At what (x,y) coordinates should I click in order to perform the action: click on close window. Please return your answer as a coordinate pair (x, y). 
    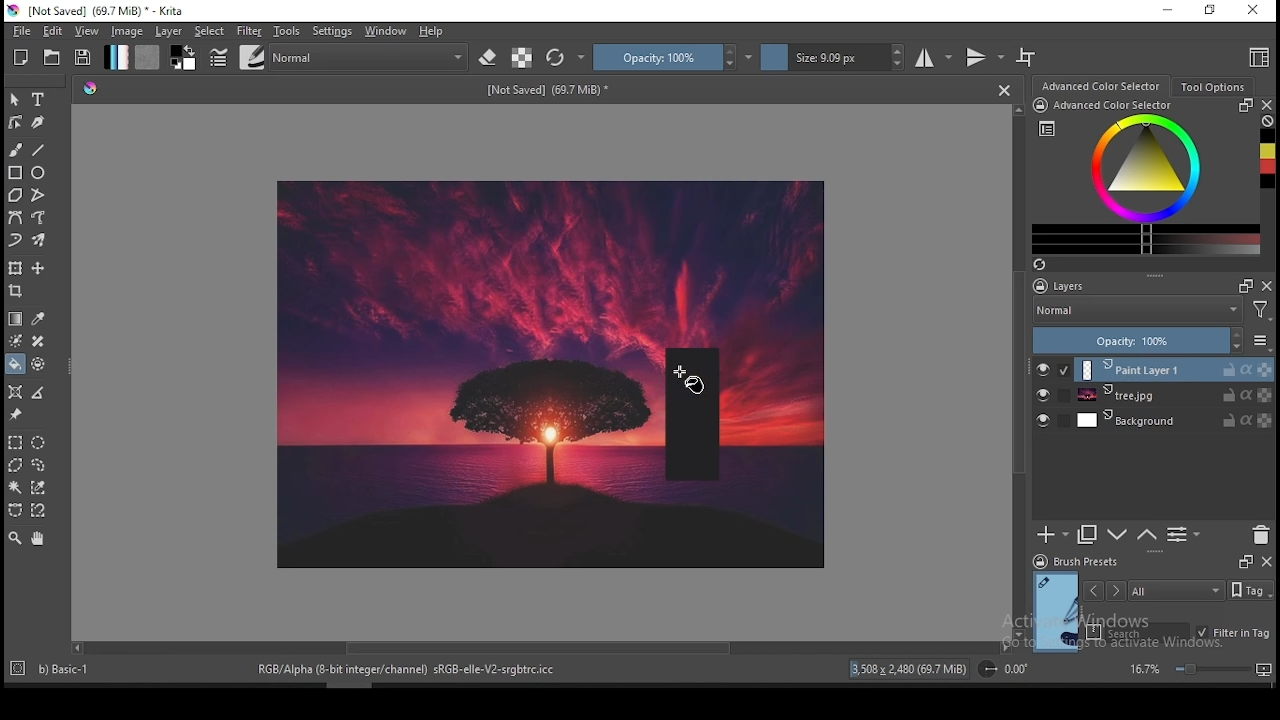
    Looking at the image, I should click on (1252, 10).